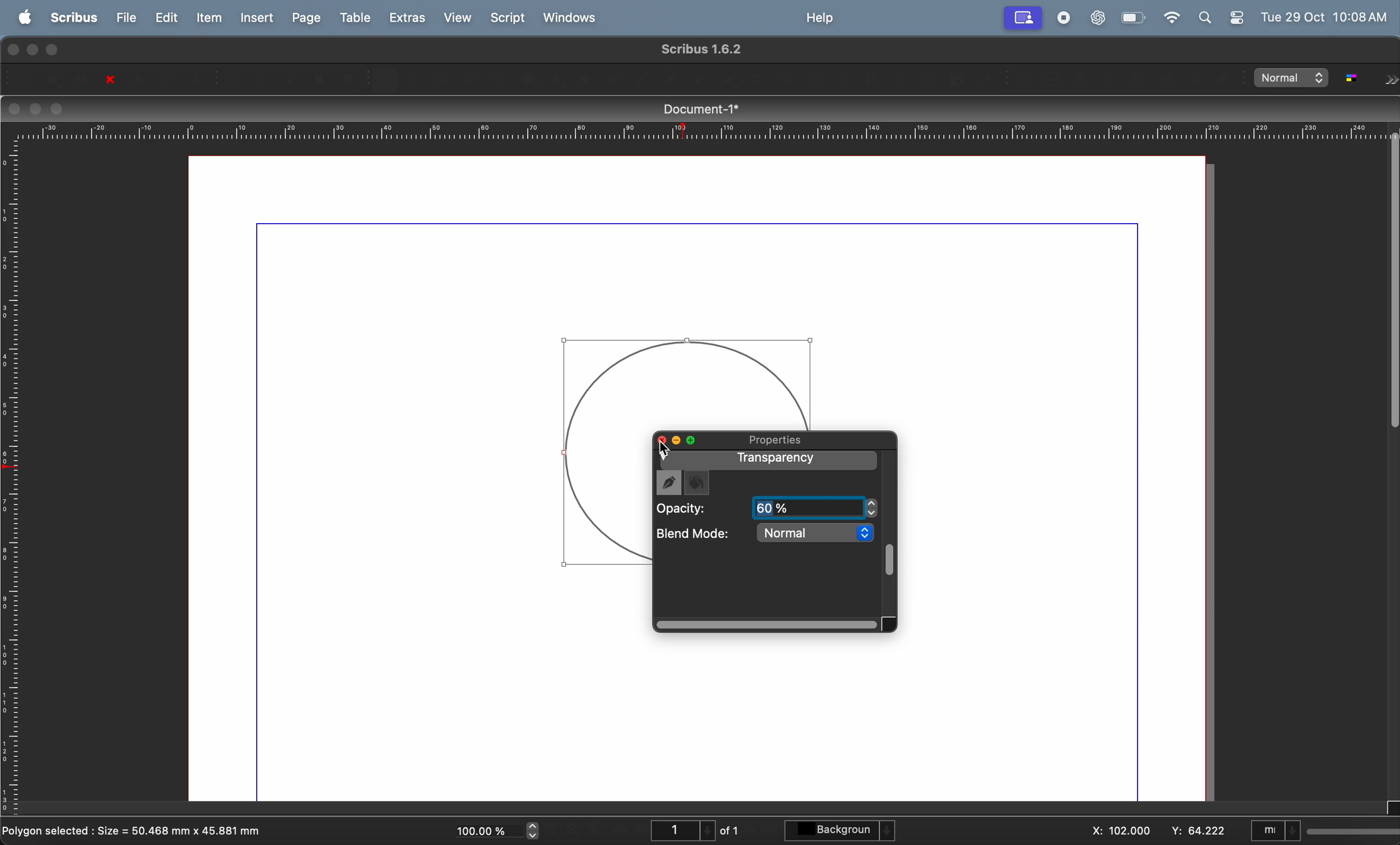 The height and width of the screenshot is (845, 1400). What do you see at coordinates (1324, 827) in the screenshot?
I see `select current unit` at bounding box center [1324, 827].